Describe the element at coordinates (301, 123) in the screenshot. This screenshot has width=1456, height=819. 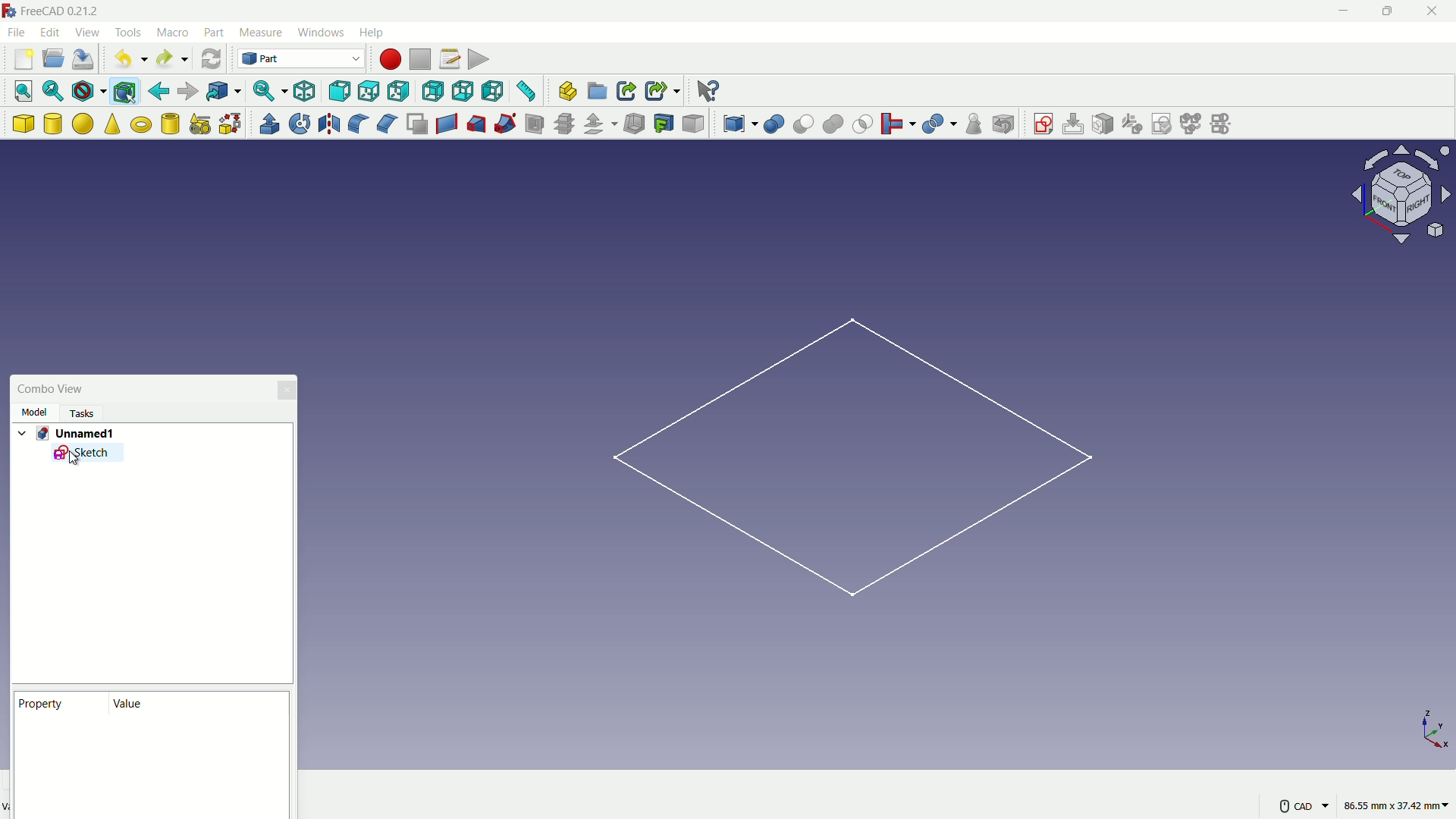
I see `rotate` at that location.